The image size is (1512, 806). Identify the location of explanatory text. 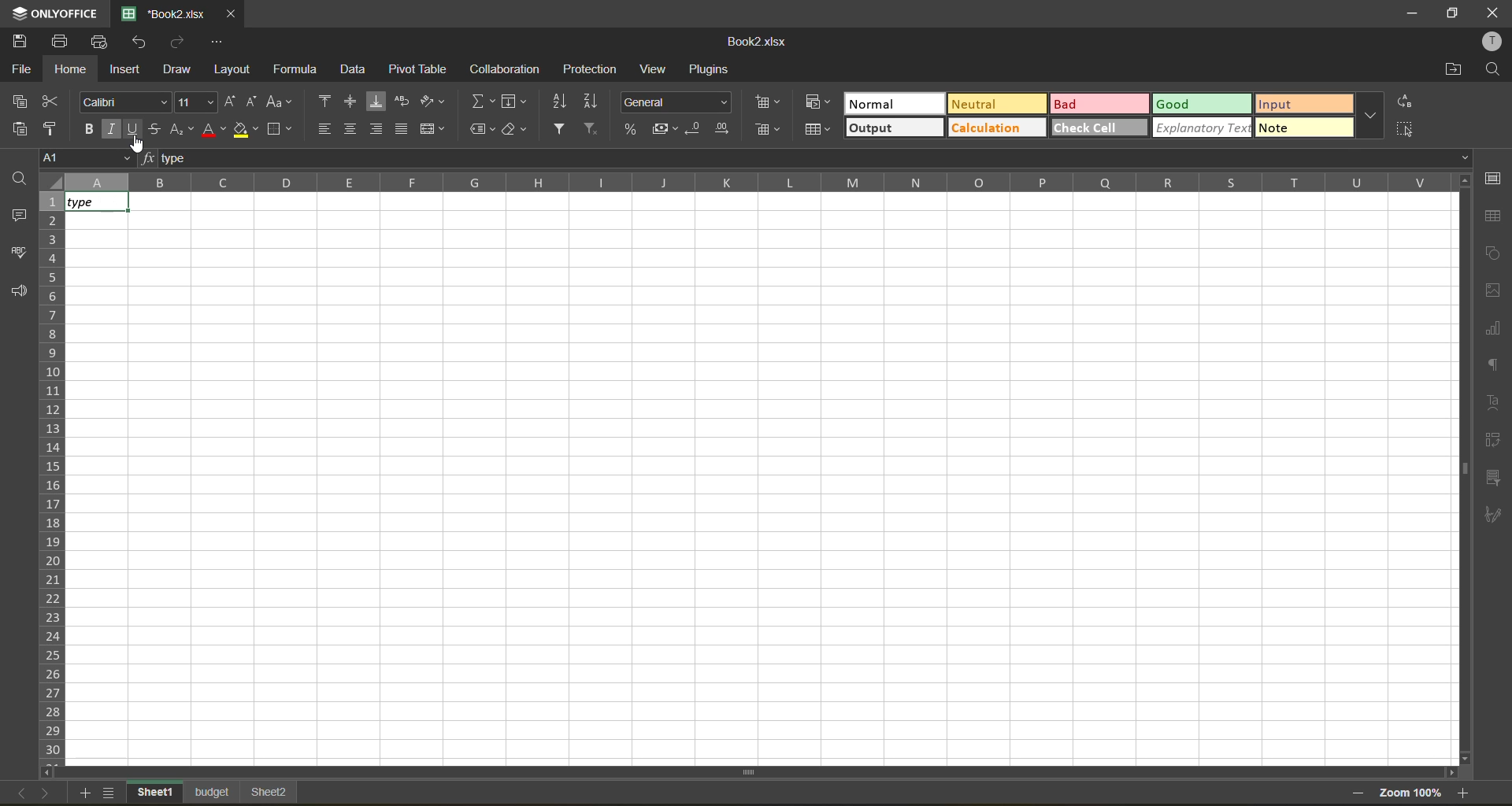
(1204, 128).